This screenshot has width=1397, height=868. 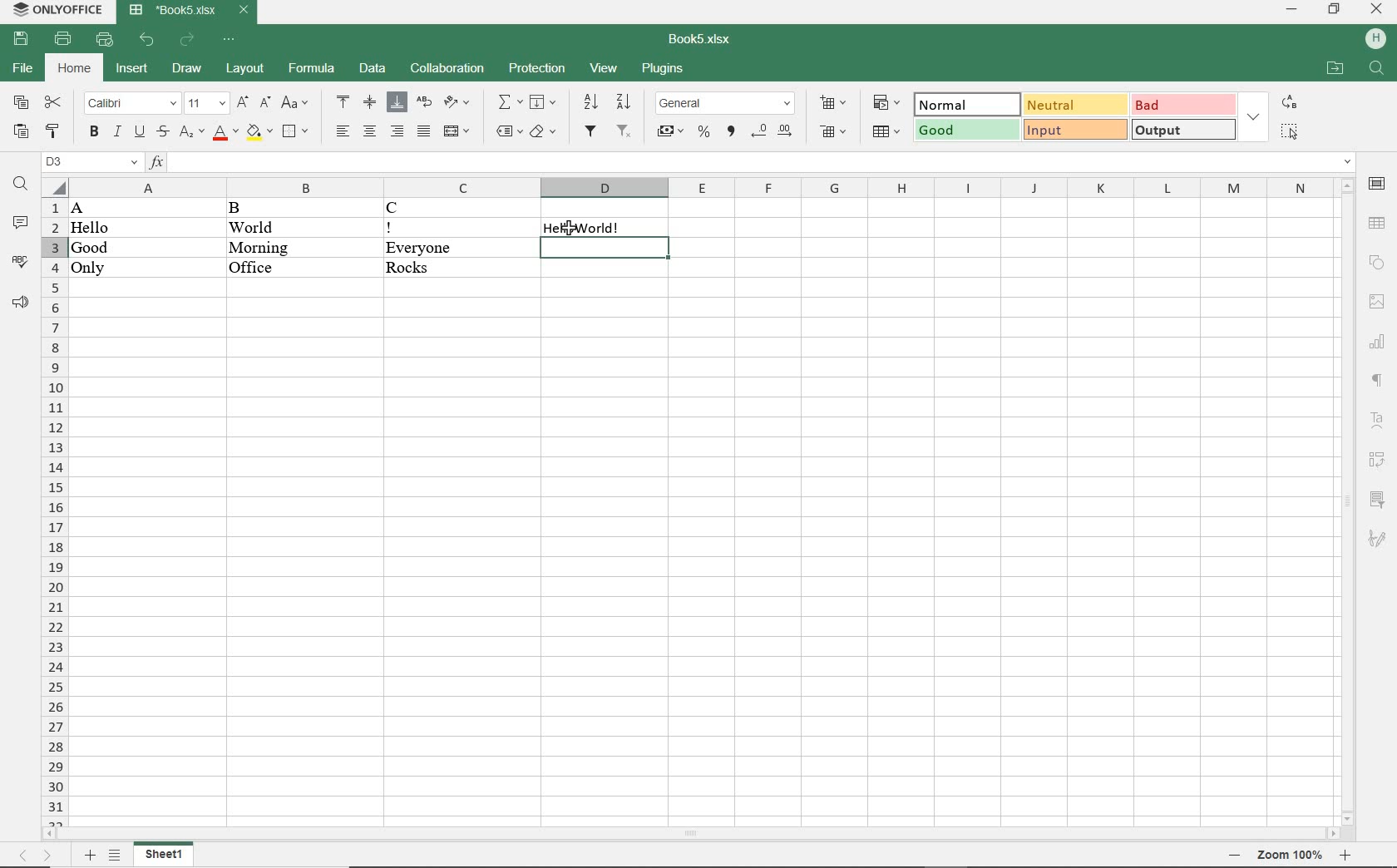 I want to click on BAD, so click(x=1183, y=106).